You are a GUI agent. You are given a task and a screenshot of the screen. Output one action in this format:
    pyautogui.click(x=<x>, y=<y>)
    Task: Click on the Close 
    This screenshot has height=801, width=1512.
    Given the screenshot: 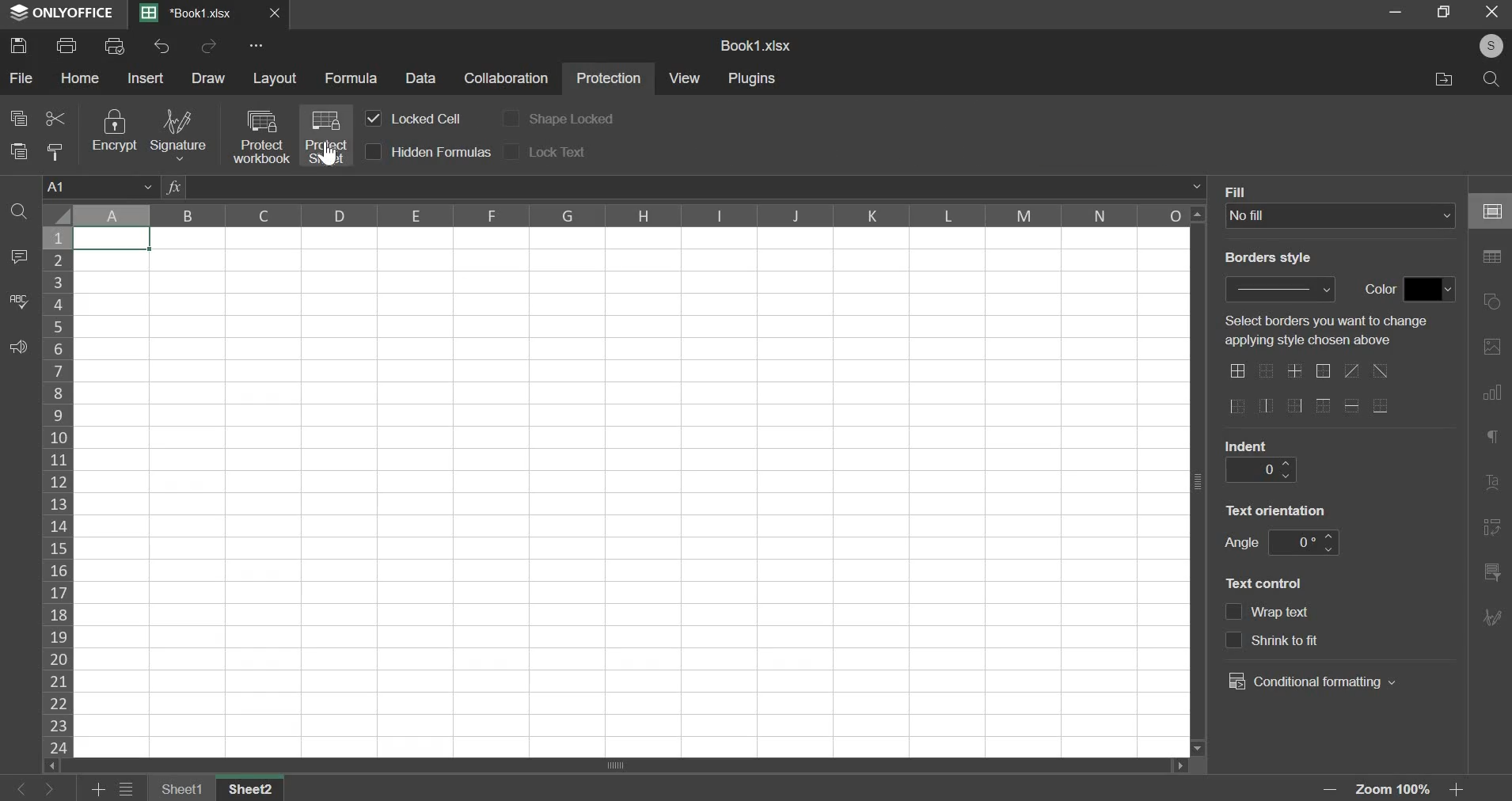 What is the action you would take?
    pyautogui.click(x=276, y=13)
    